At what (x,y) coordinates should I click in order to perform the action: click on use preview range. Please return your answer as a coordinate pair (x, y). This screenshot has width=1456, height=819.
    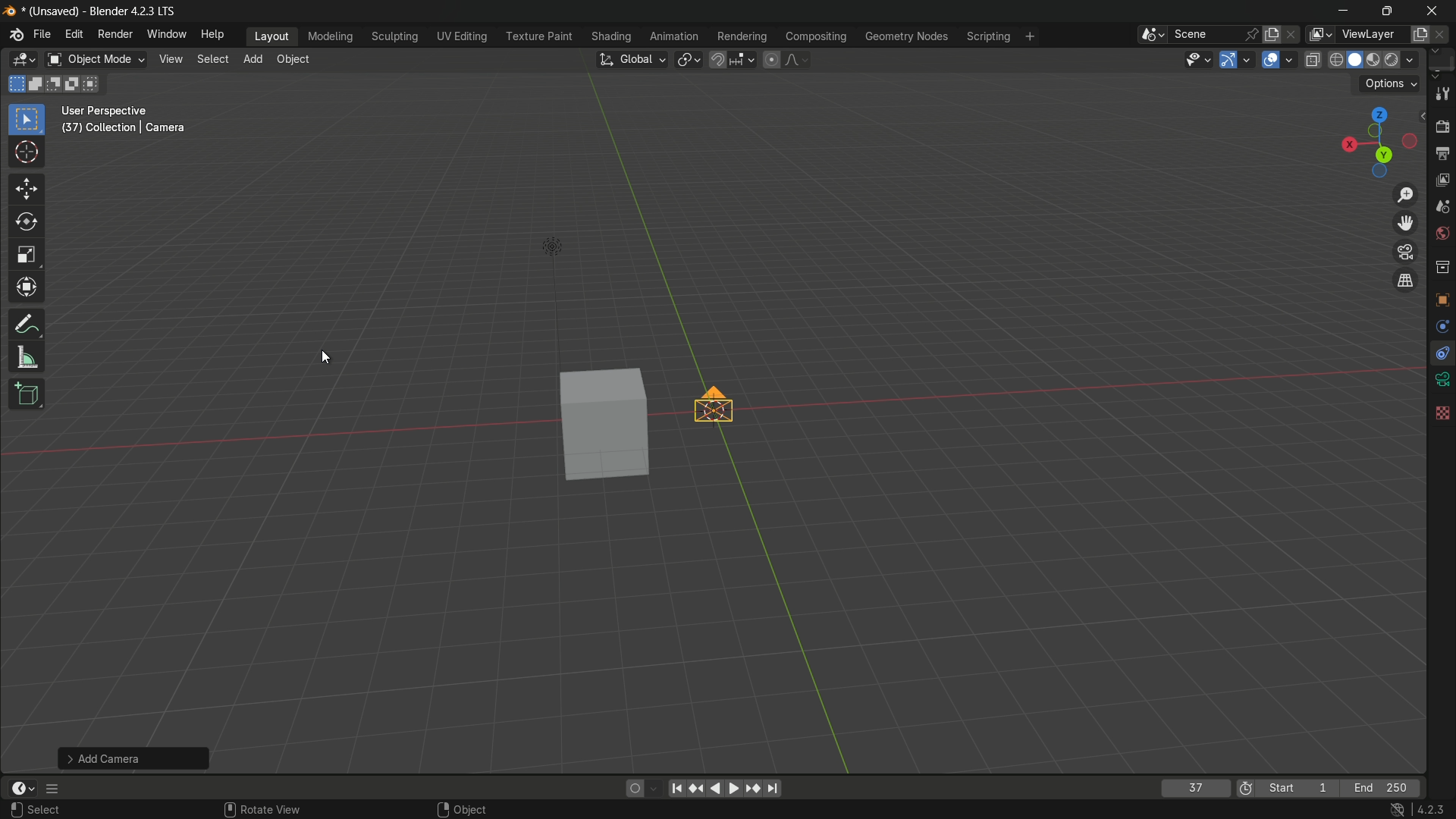
    Looking at the image, I should click on (1244, 787).